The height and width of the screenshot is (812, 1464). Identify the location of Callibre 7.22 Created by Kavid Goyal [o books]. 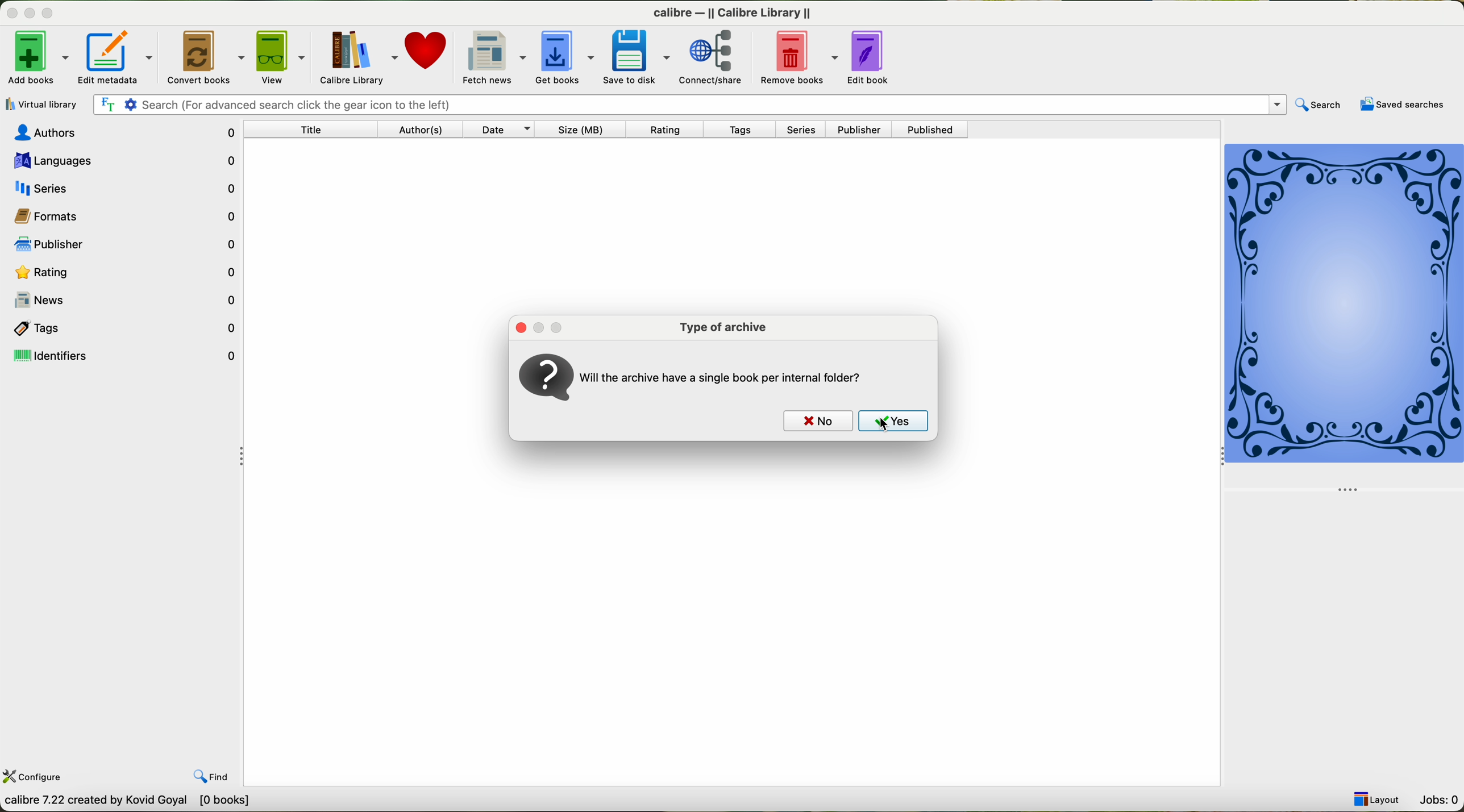
(138, 803).